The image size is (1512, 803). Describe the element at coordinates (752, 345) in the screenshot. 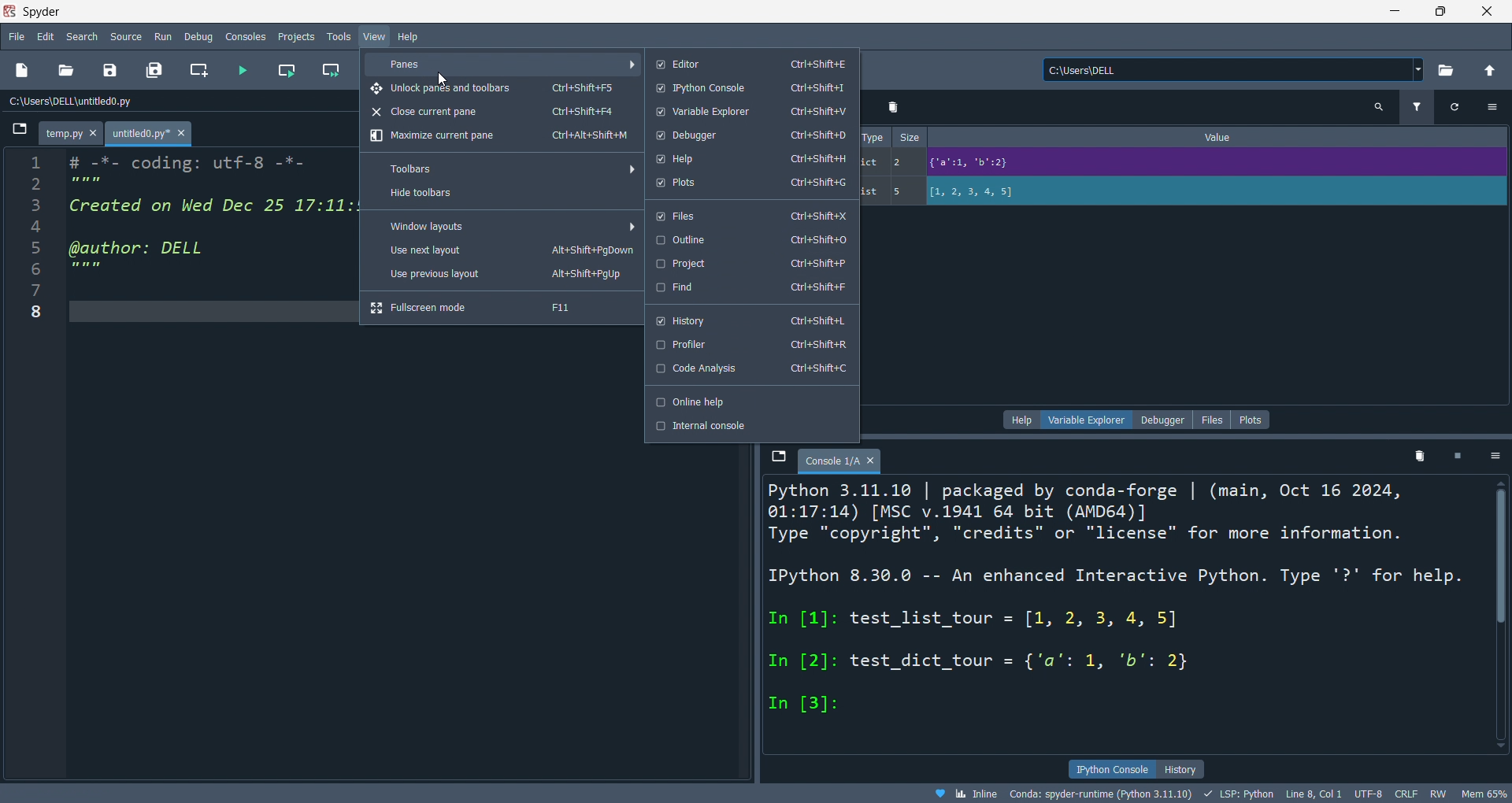

I see `profiler` at that location.